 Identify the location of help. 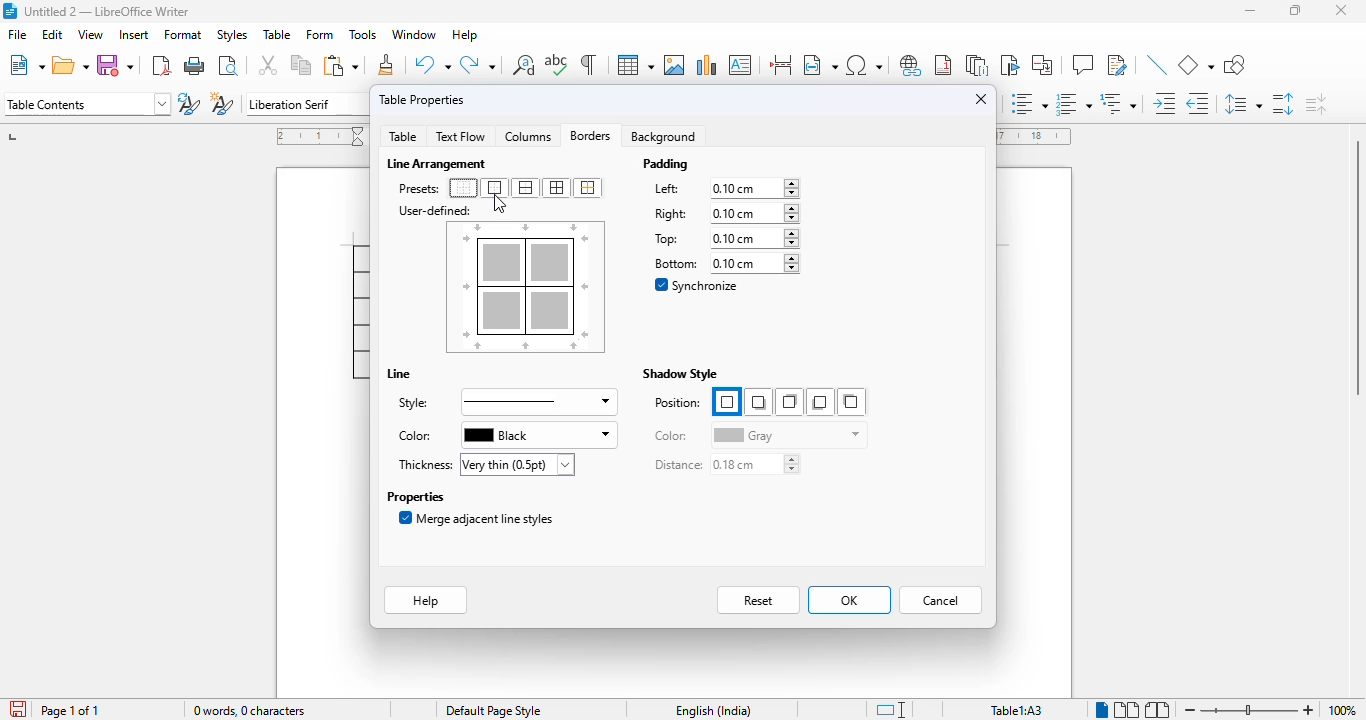
(464, 35).